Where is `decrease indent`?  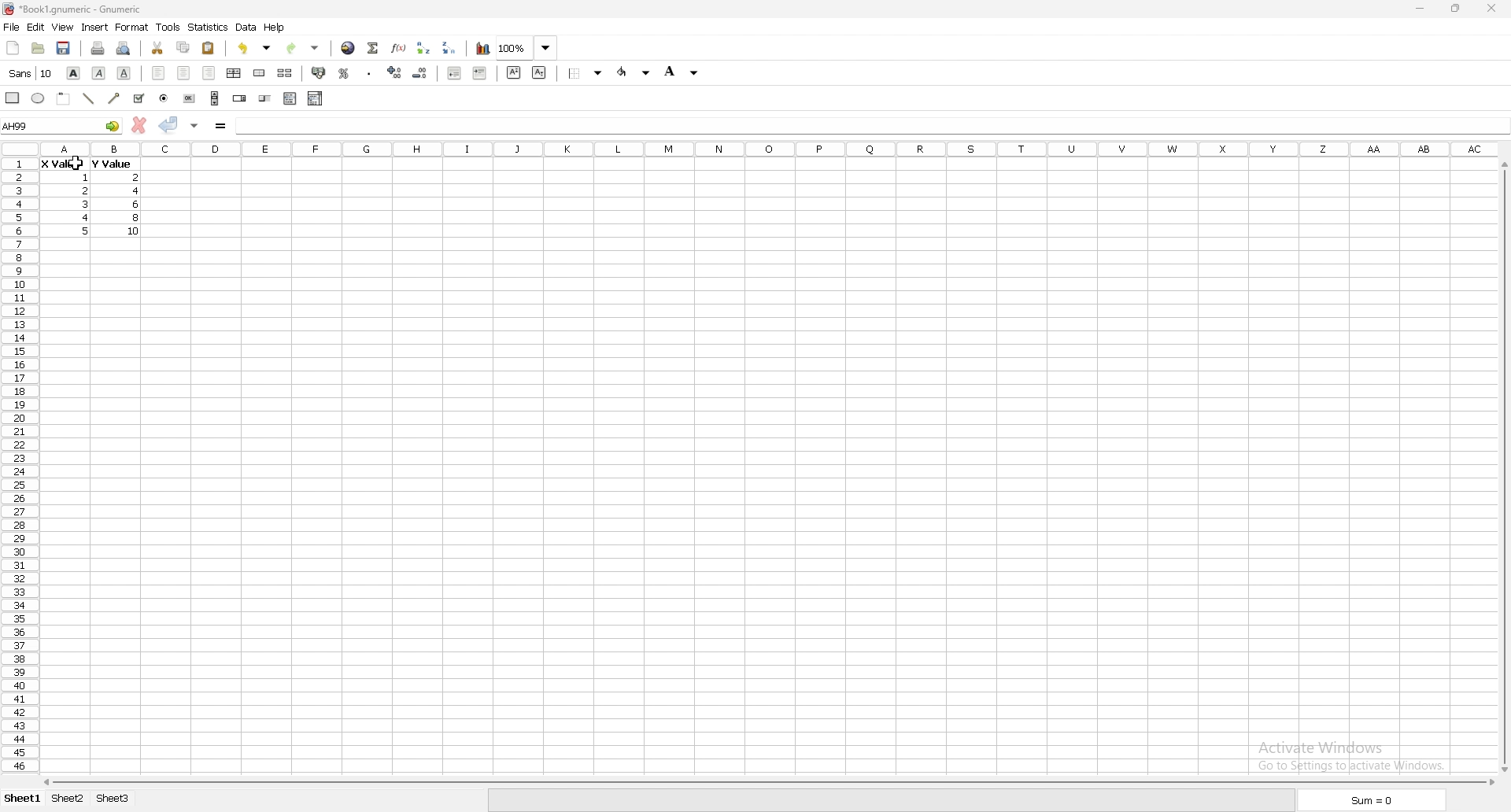 decrease indent is located at coordinates (455, 72).